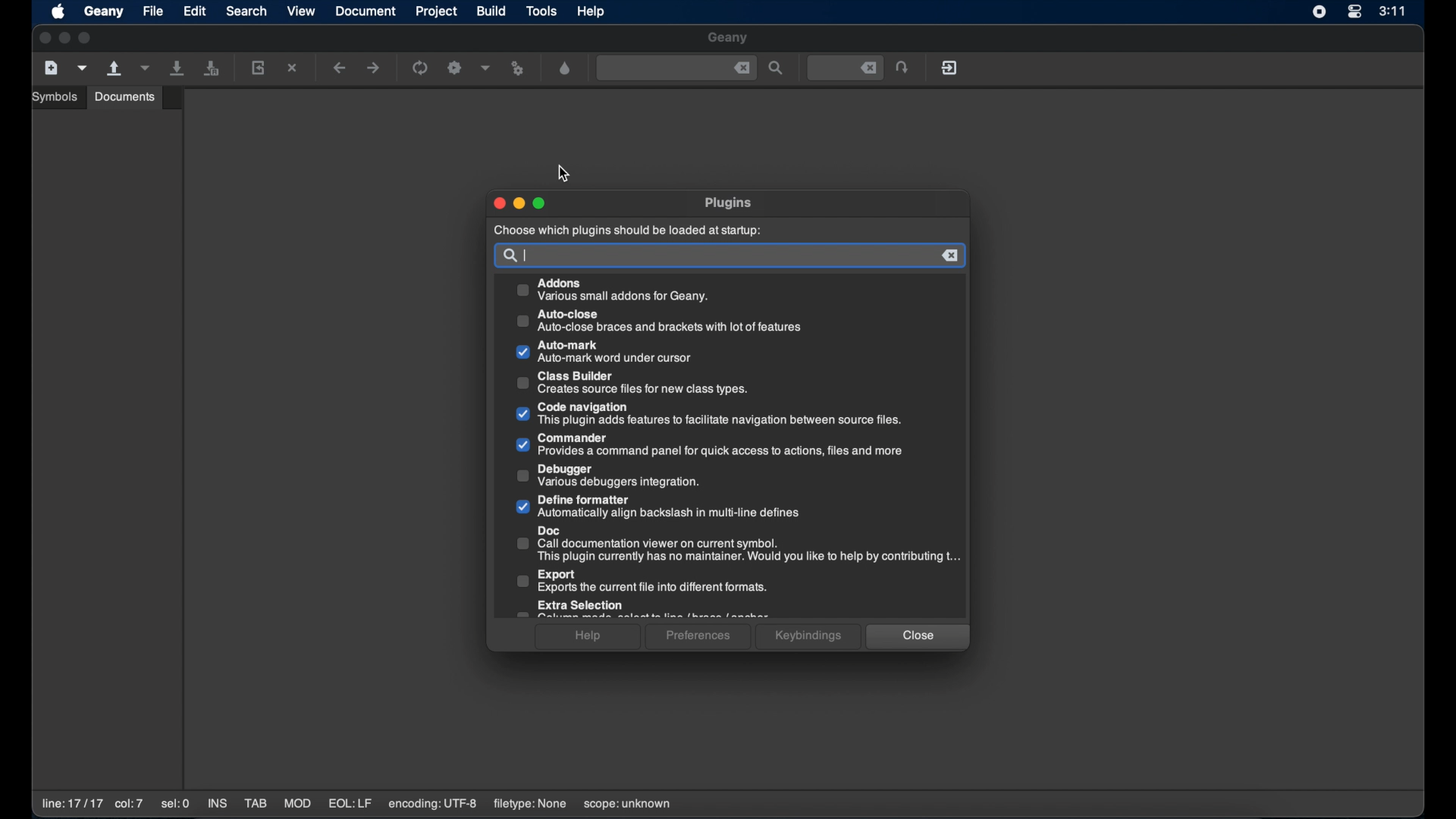 The image size is (1456, 819). I want to click on Doc Call documentation viewer on current symbol.This plugin currently has no maintainer. Would you like to help by contributing t.., so click(736, 543).